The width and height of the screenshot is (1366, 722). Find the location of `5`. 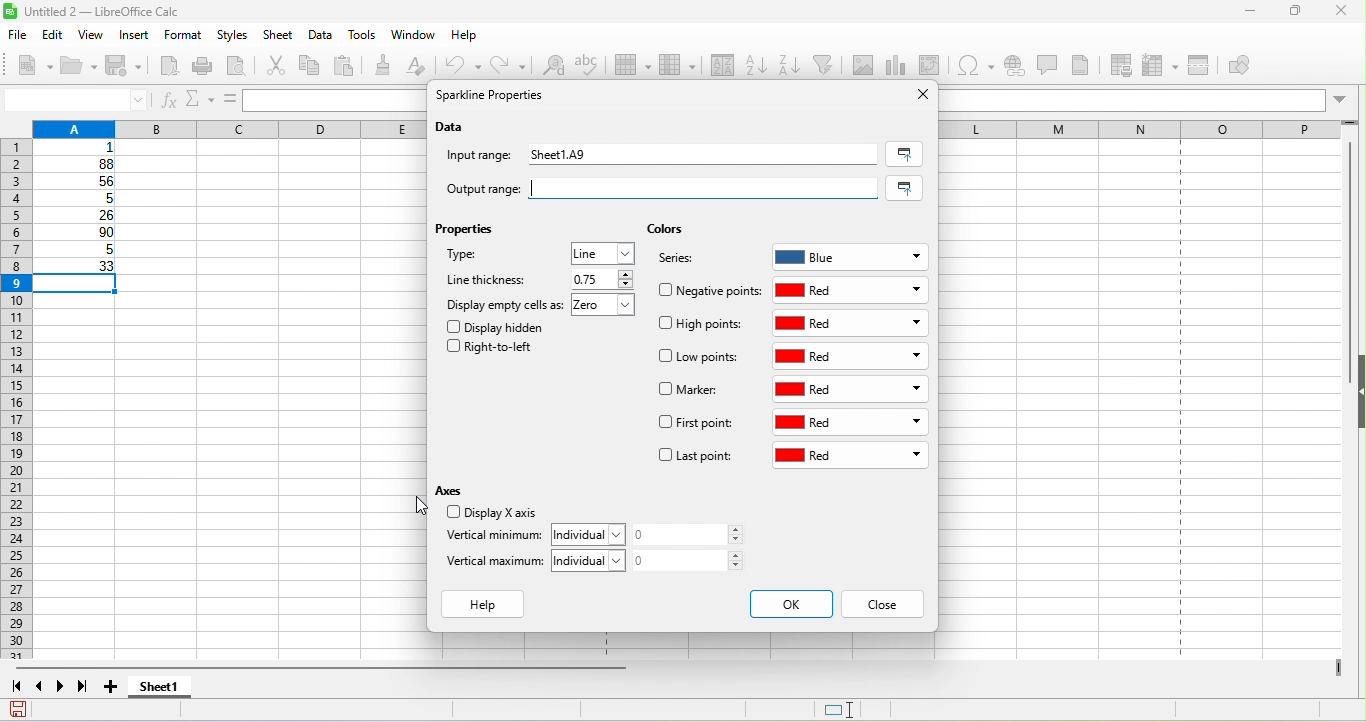

5 is located at coordinates (81, 199).